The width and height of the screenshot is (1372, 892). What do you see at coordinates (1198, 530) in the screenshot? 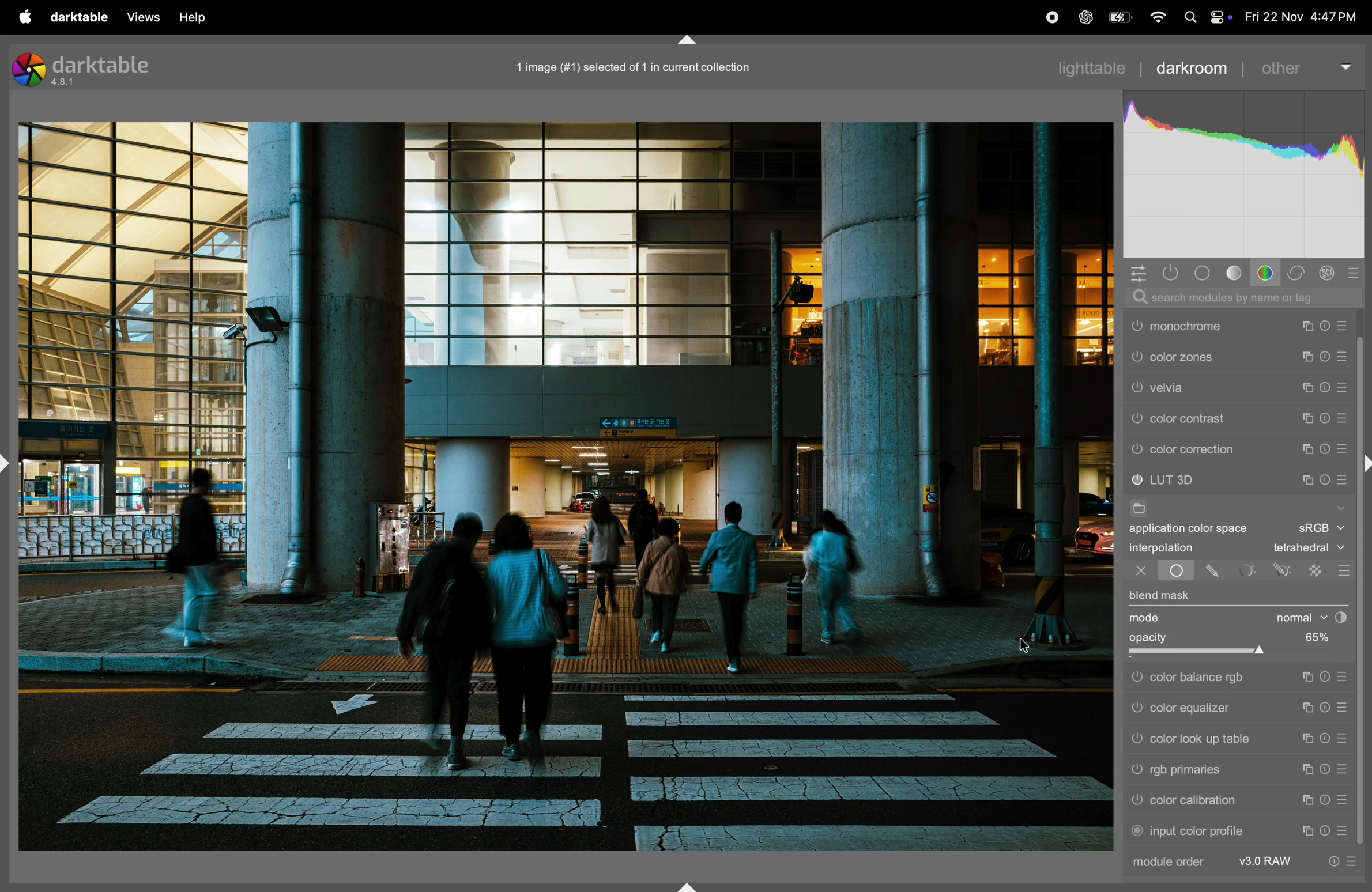
I see `application color space` at bounding box center [1198, 530].